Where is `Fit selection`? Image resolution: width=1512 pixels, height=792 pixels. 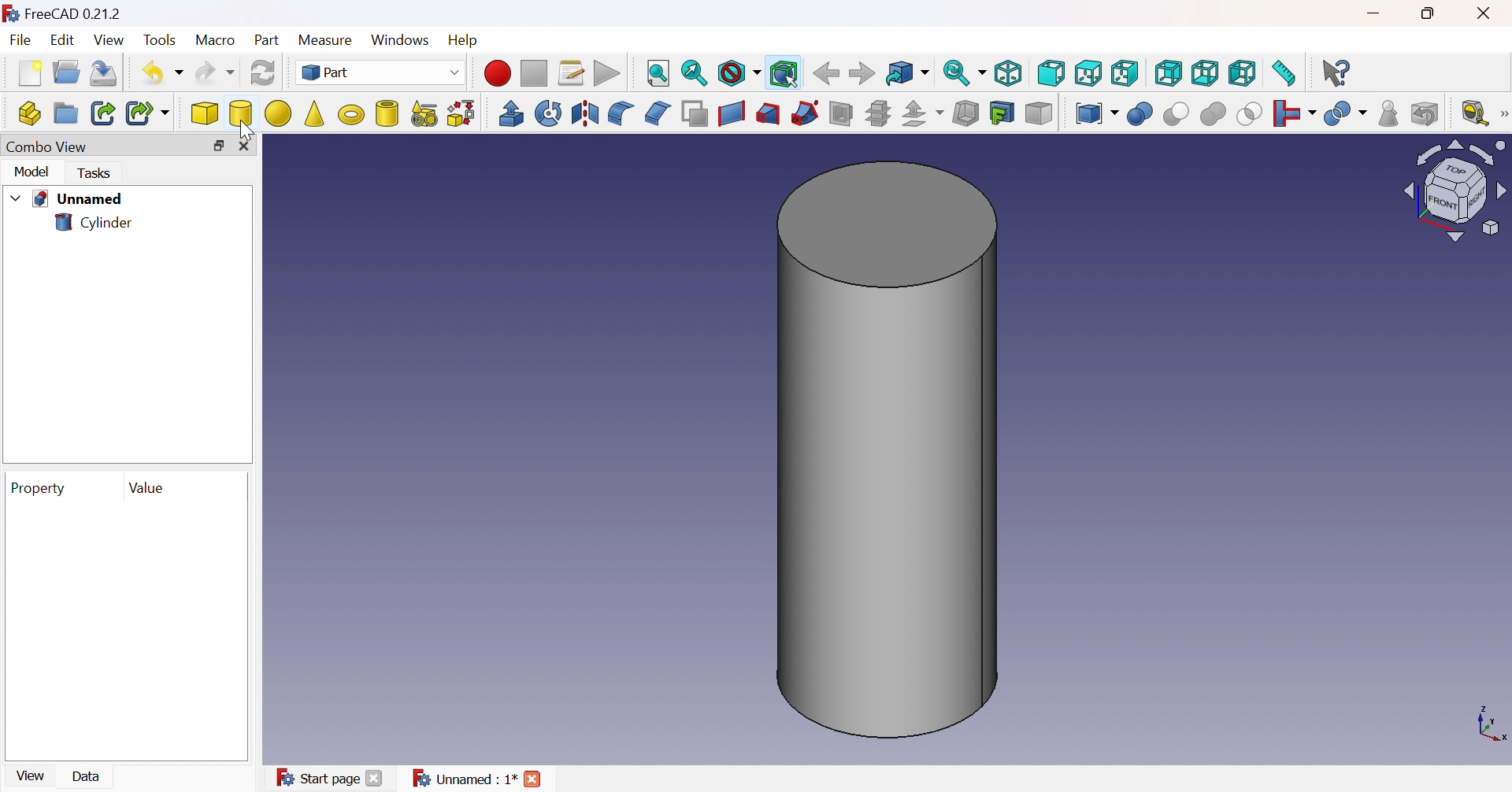
Fit selection is located at coordinates (695, 75).